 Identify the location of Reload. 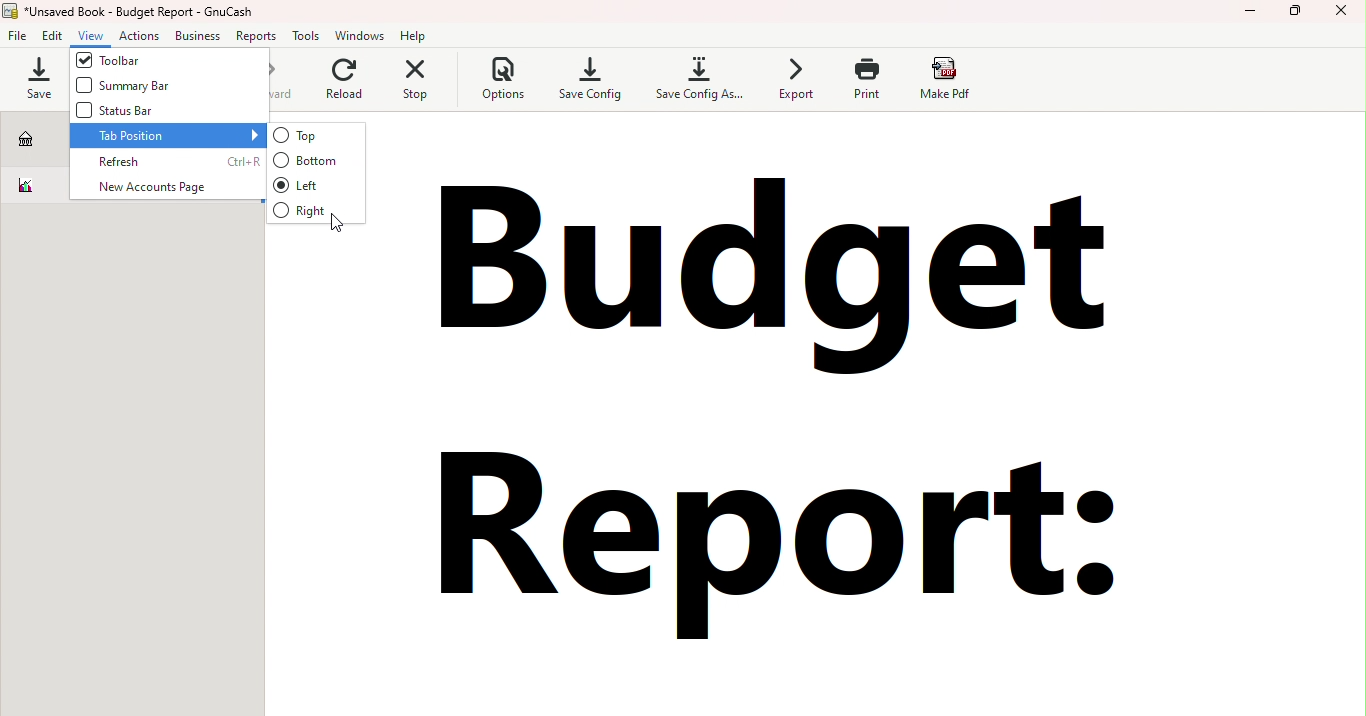
(352, 87).